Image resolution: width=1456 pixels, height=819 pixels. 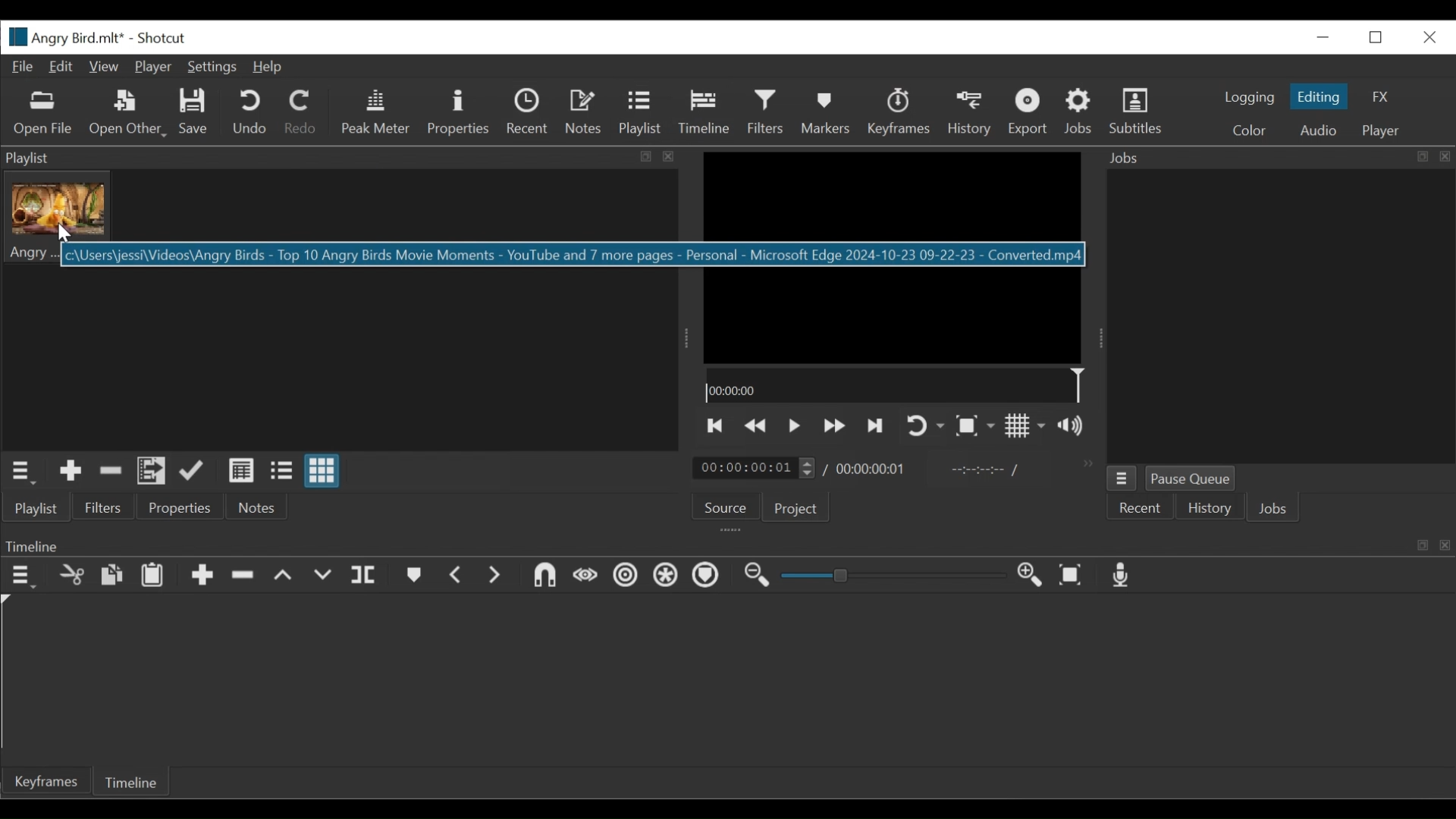 I want to click on Pause Queue, so click(x=1191, y=478).